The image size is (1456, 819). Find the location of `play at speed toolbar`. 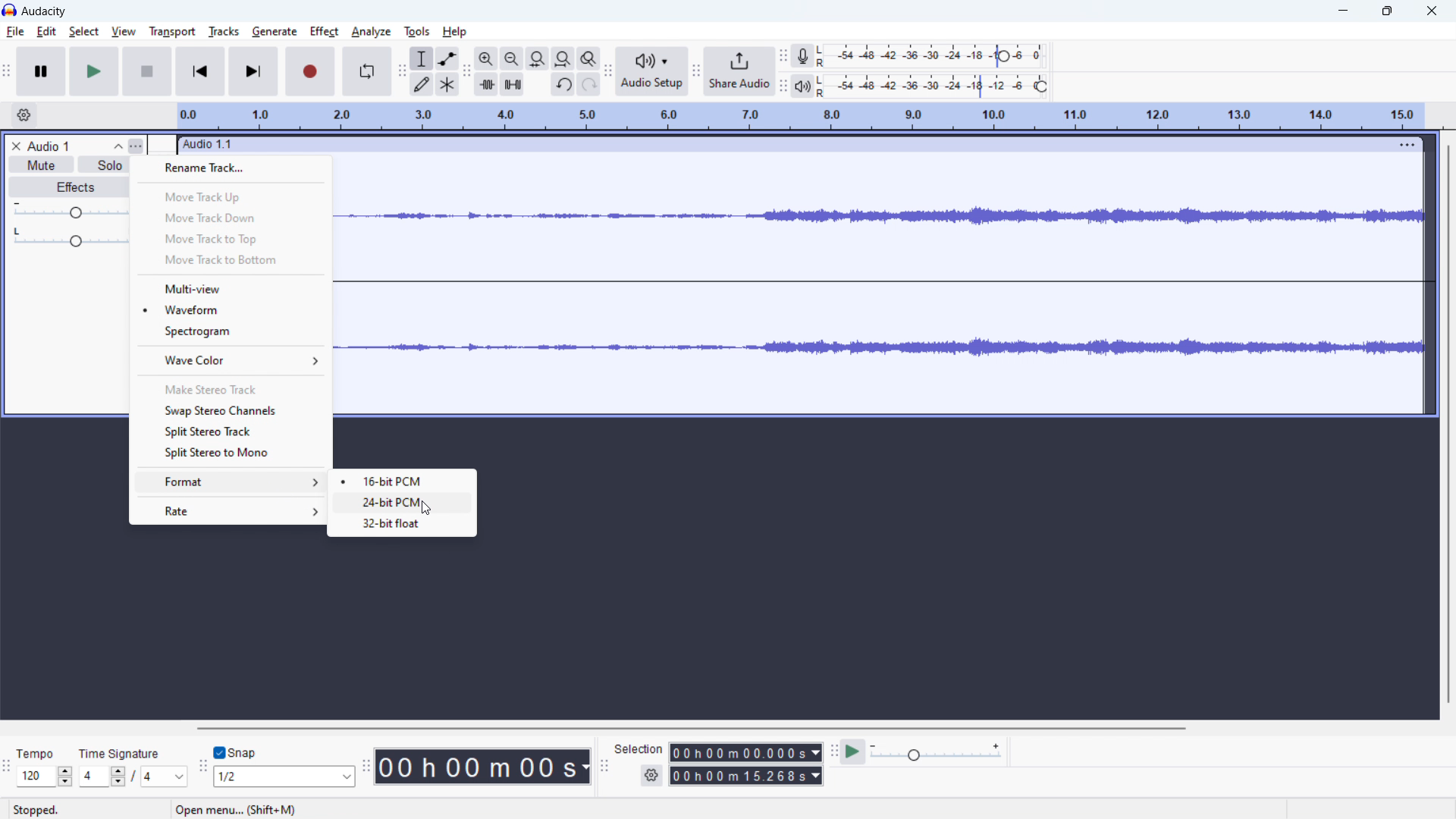

play at speed toolbar is located at coordinates (833, 751).